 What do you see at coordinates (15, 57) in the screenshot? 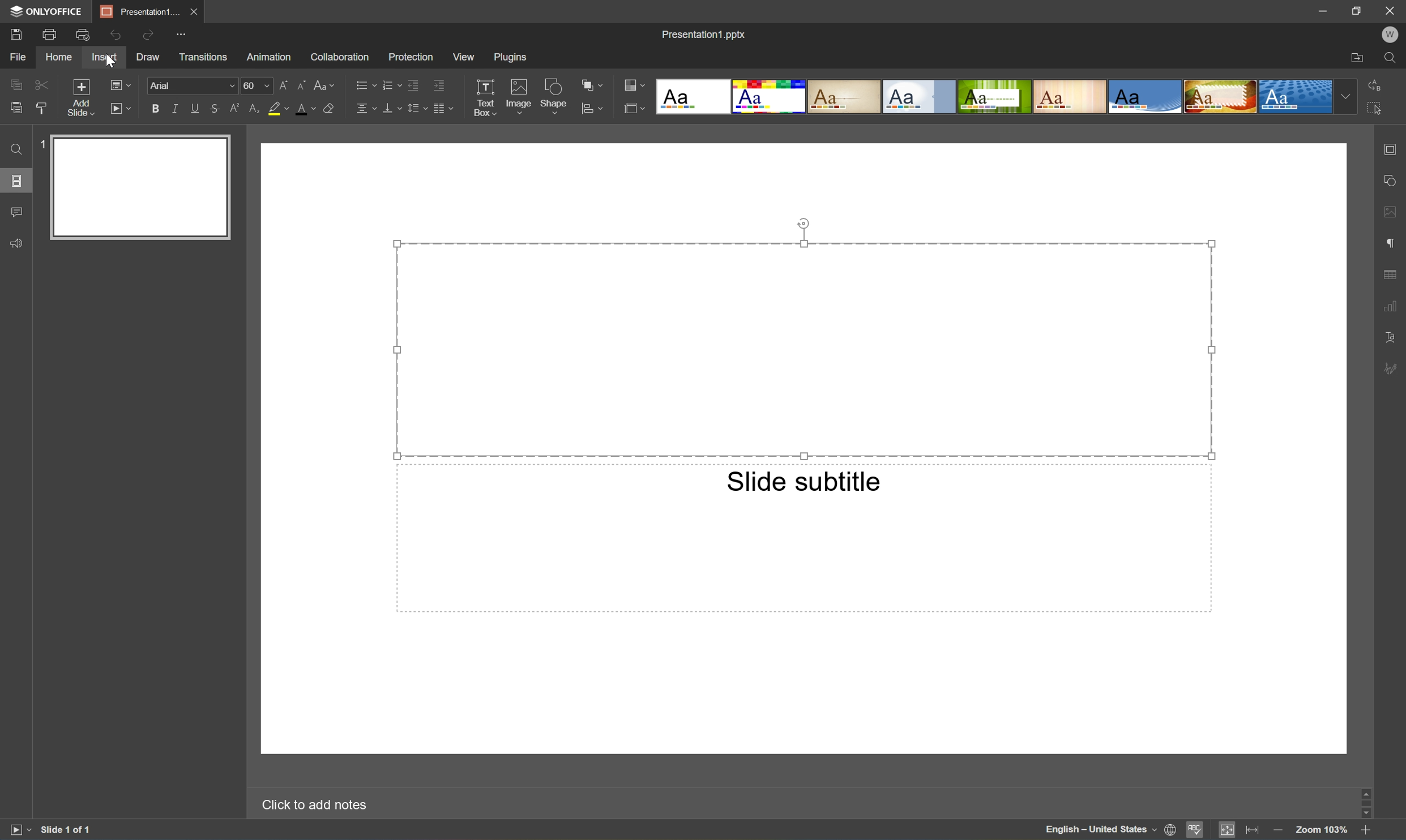
I see `File` at bounding box center [15, 57].